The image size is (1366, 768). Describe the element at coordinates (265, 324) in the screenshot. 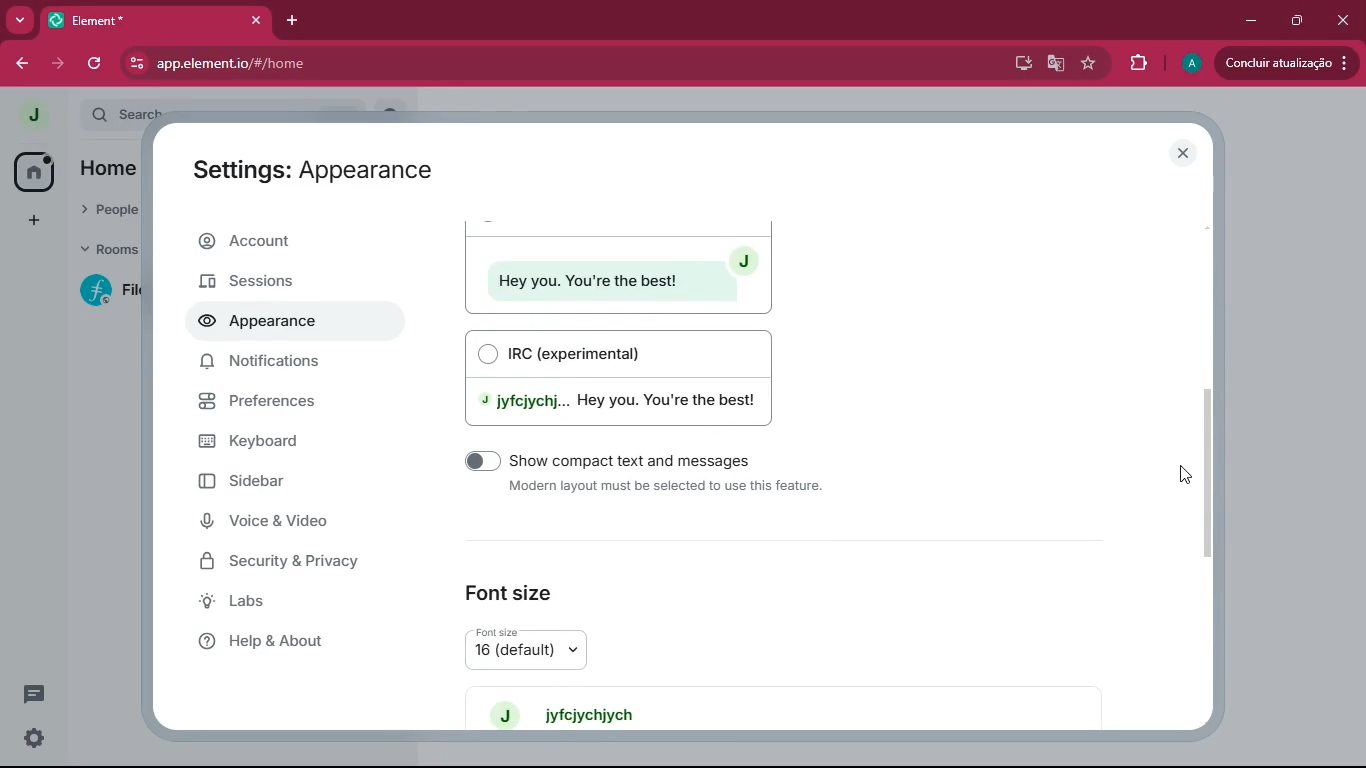

I see `appearance` at that location.